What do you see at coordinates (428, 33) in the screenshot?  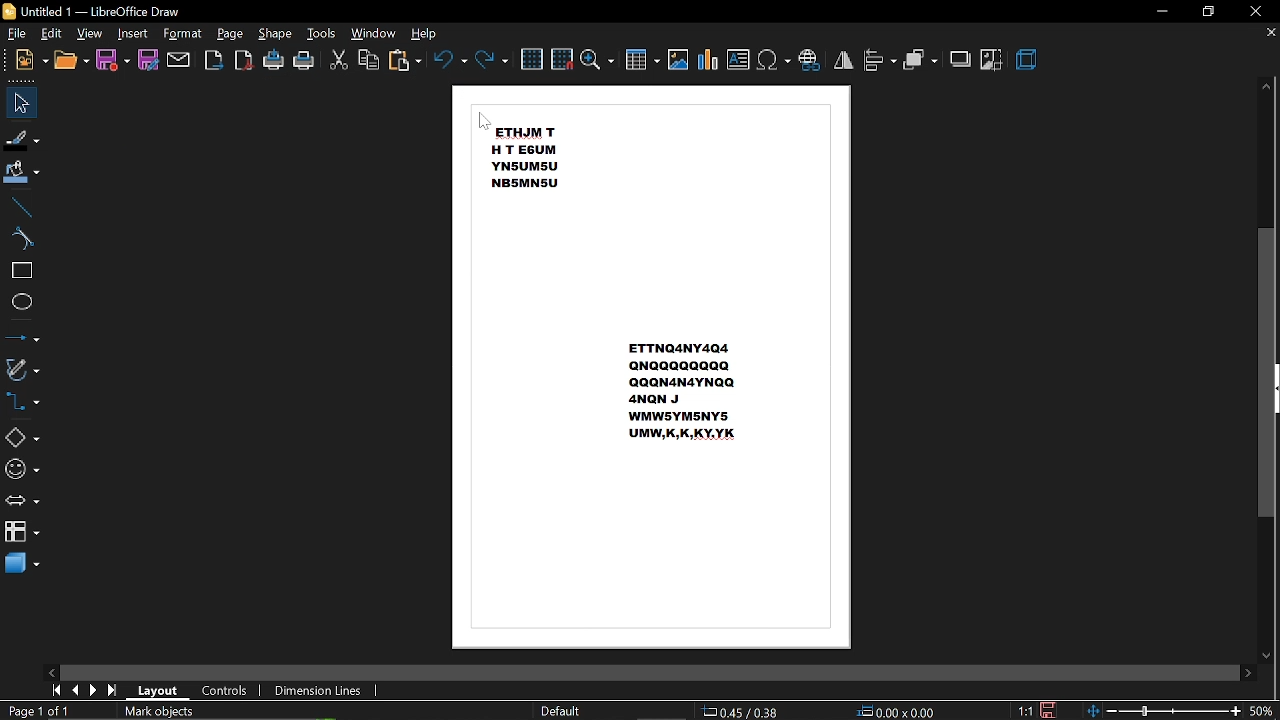 I see `help` at bounding box center [428, 33].